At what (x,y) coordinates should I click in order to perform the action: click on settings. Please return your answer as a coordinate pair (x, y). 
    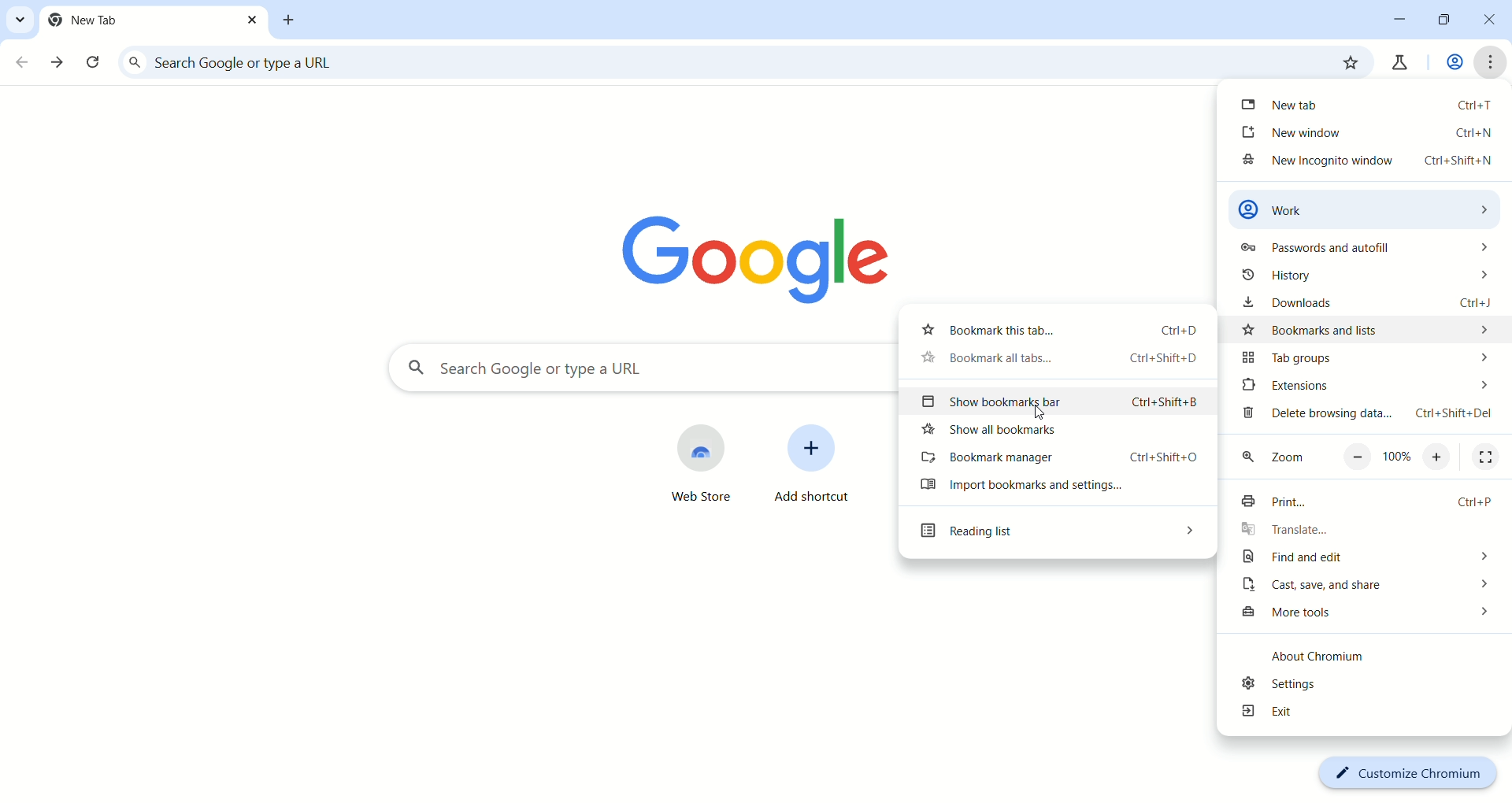
    Looking at the image, I should click on (1360, 685).